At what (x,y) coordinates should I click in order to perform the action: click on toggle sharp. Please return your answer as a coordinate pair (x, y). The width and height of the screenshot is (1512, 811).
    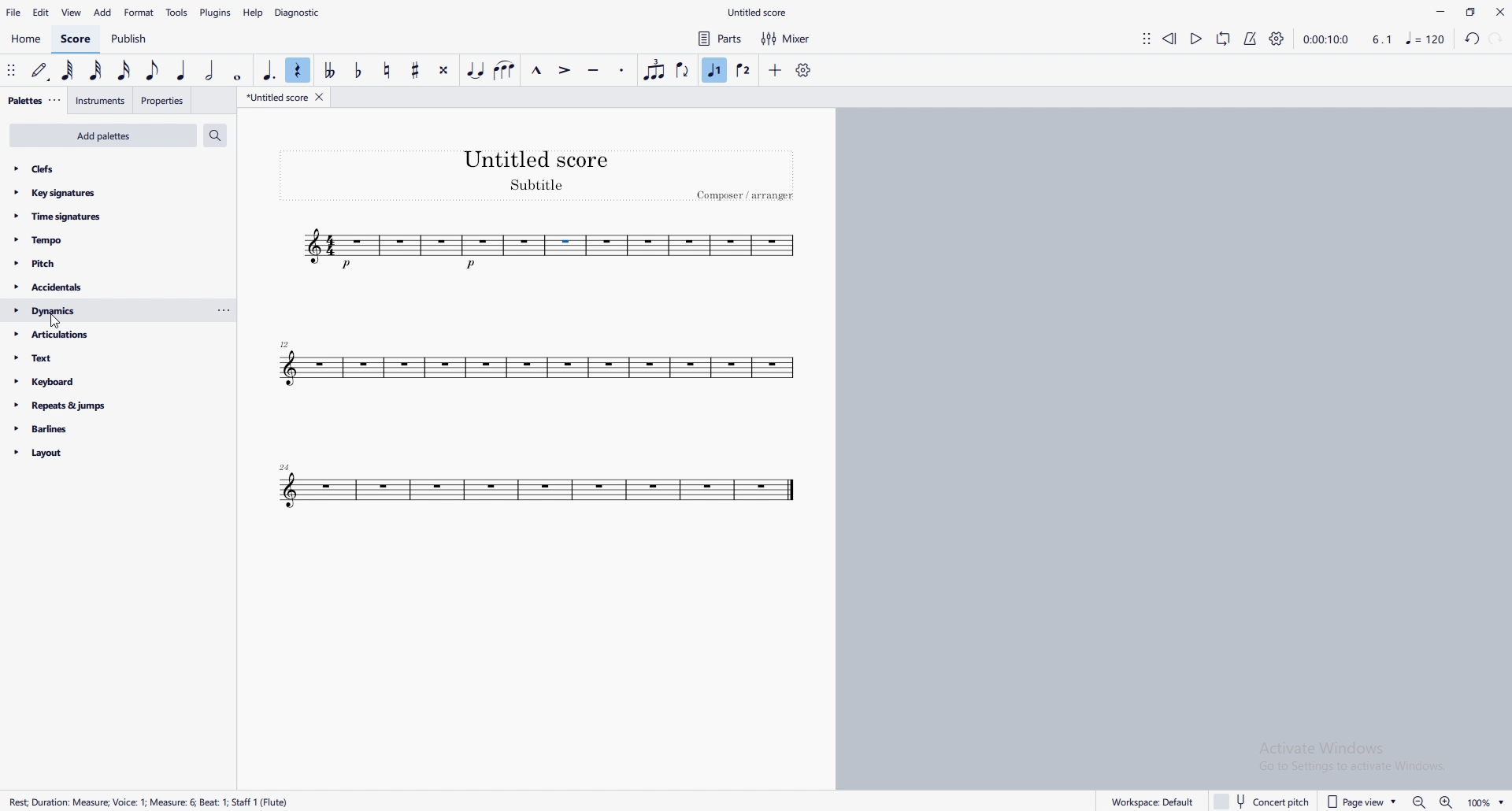
    Looking at the image, I should click on (415, 70).